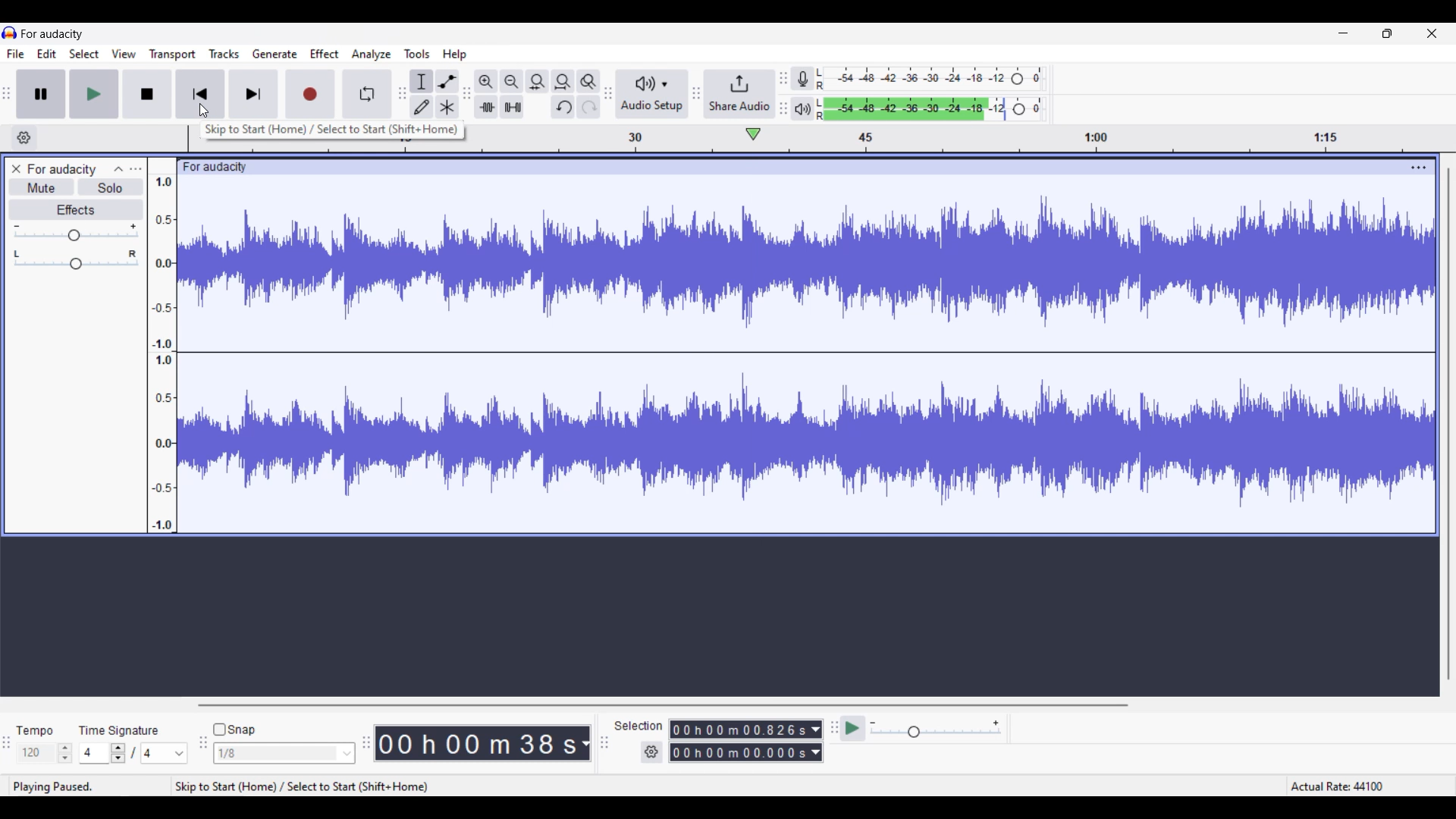 The height and width of the screenshot is (819, 1456). I want to click on Zoom in, so click(486, 82).